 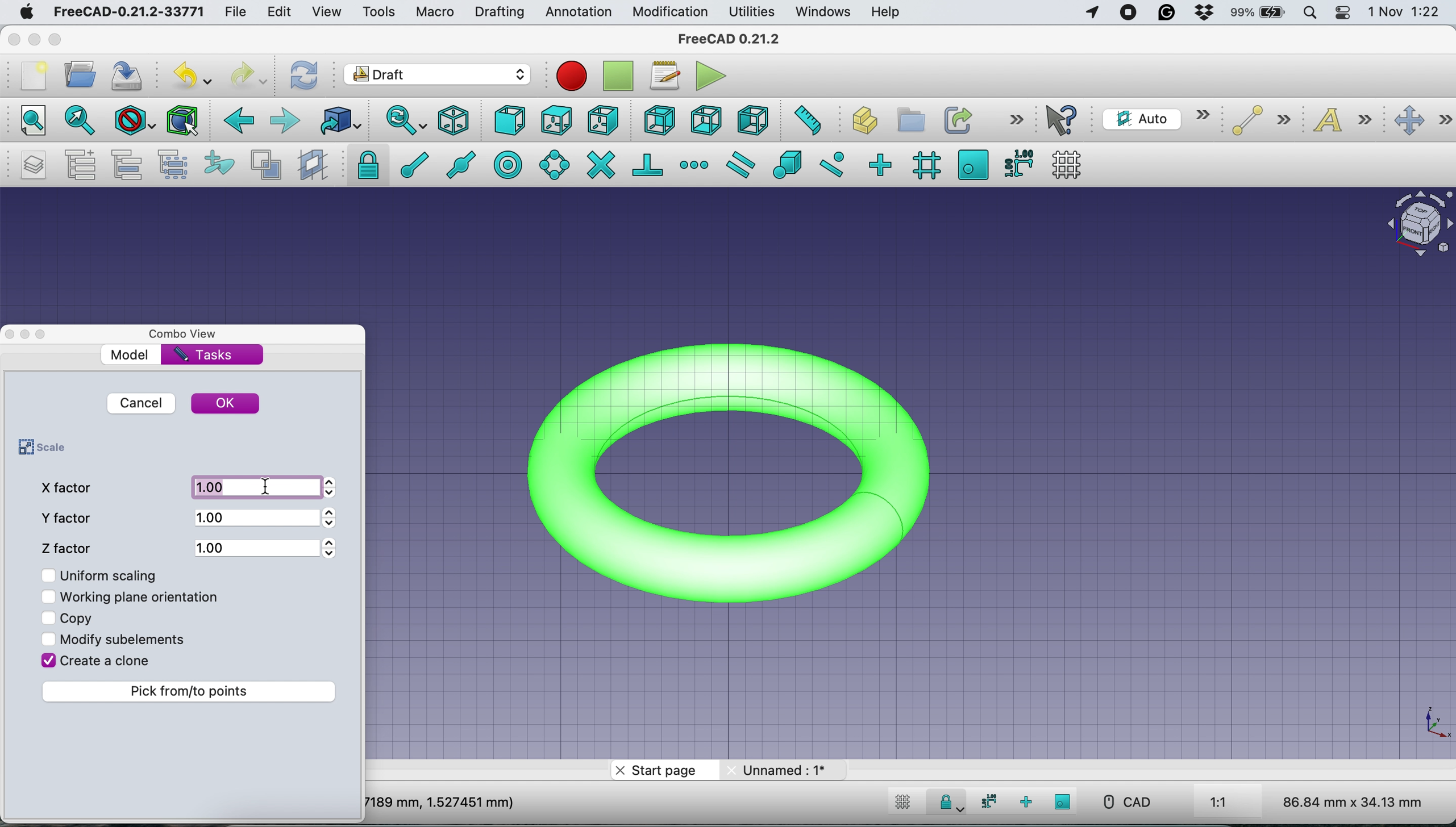 I want to click on 7189 mm, 1.527451 mm), so click(x=441, y=801).